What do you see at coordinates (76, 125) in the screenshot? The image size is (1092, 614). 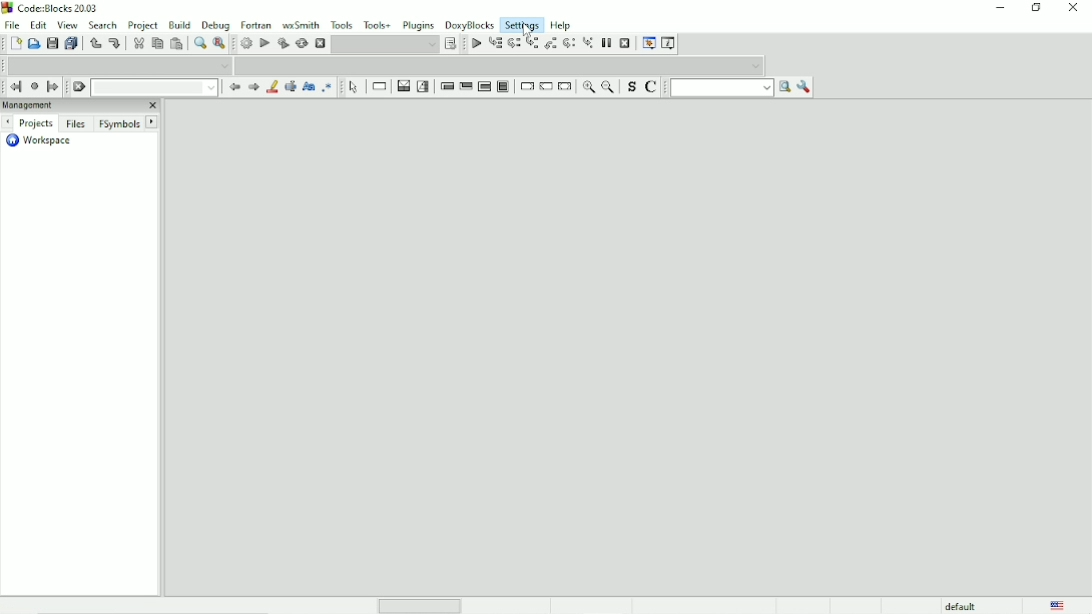 I see `Files` at bounding box center [76, 125].